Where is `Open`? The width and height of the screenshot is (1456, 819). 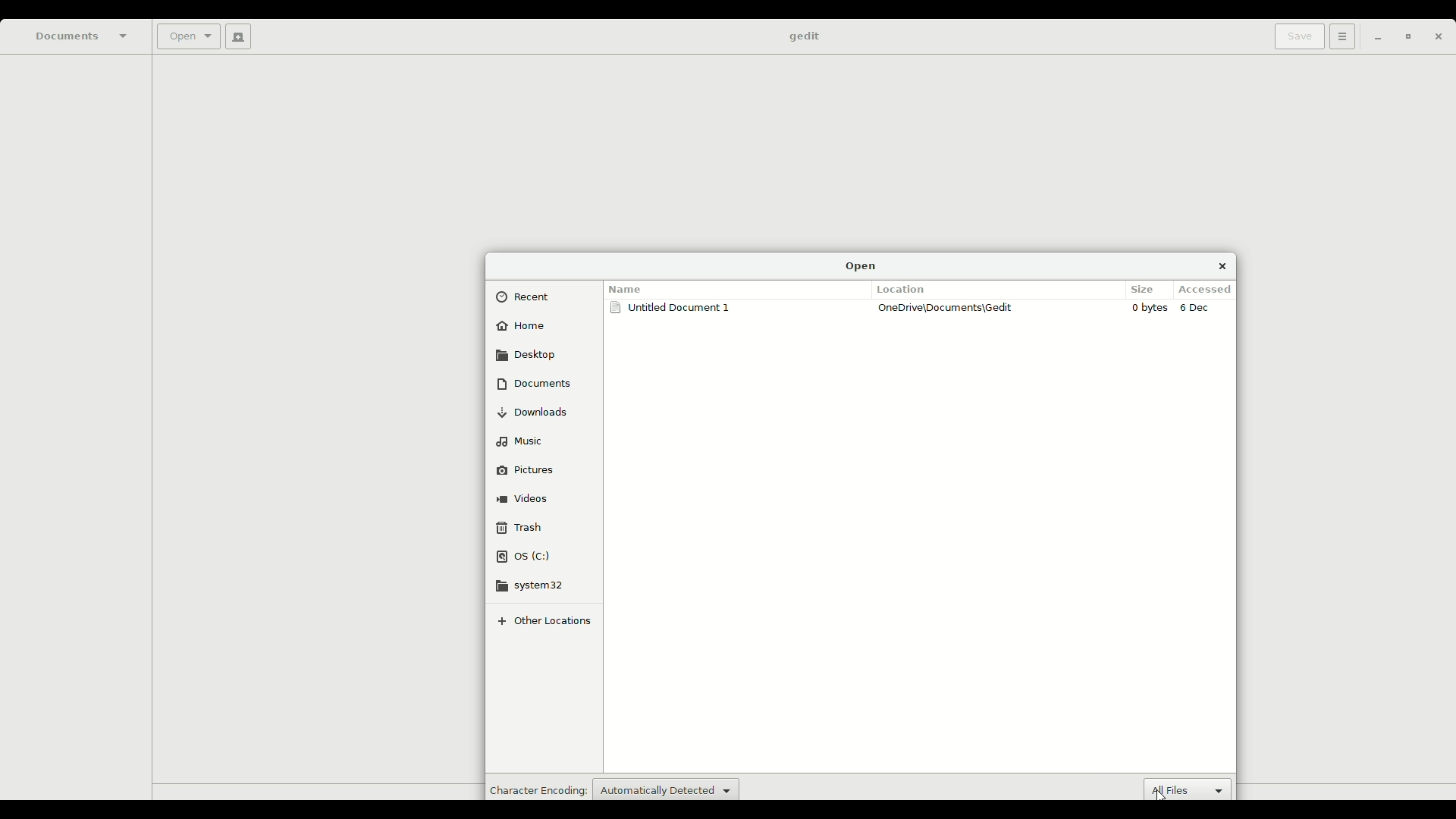
Open is located at coordinates (187, 38).